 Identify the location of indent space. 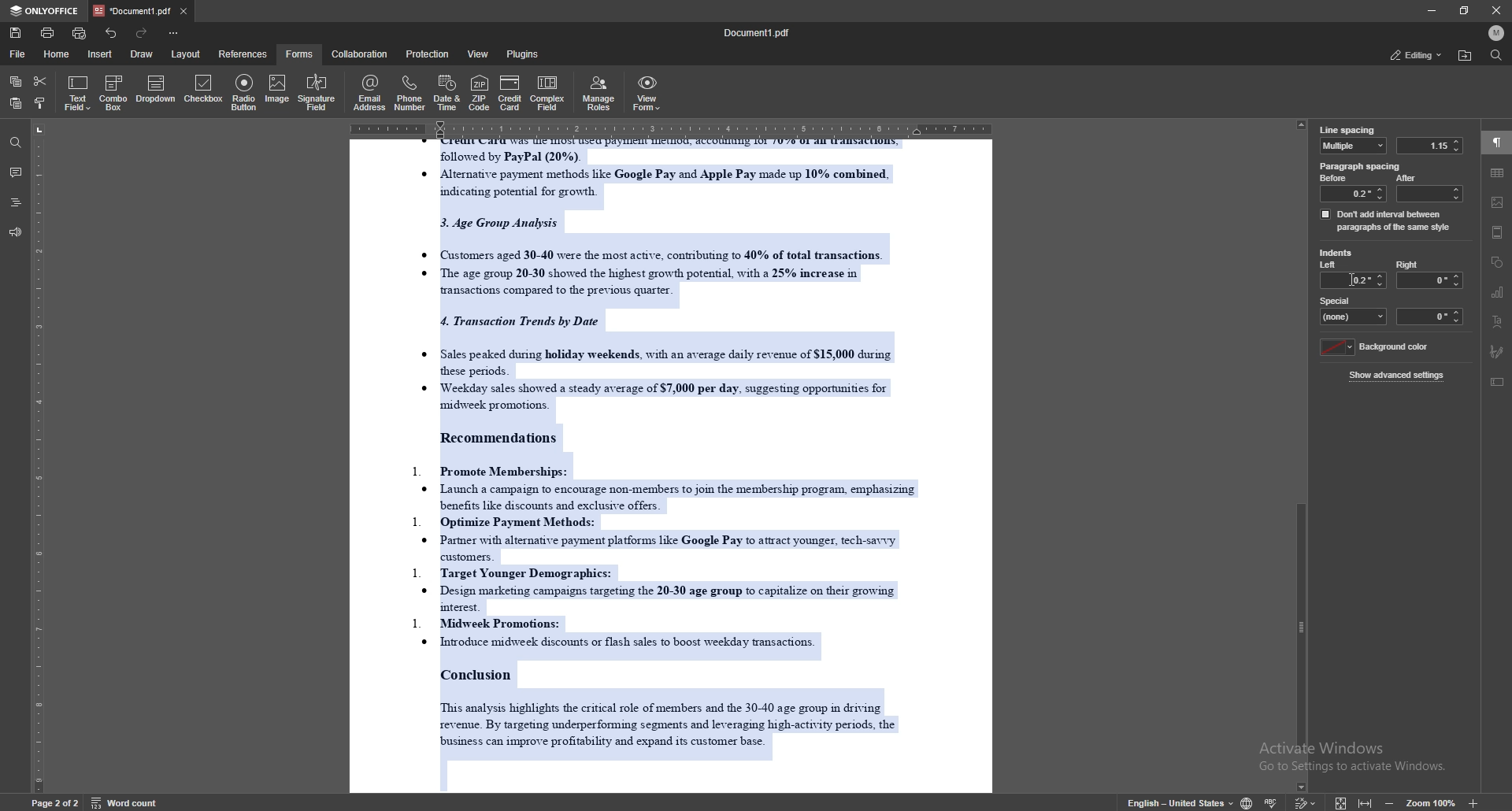
(1431, 317).